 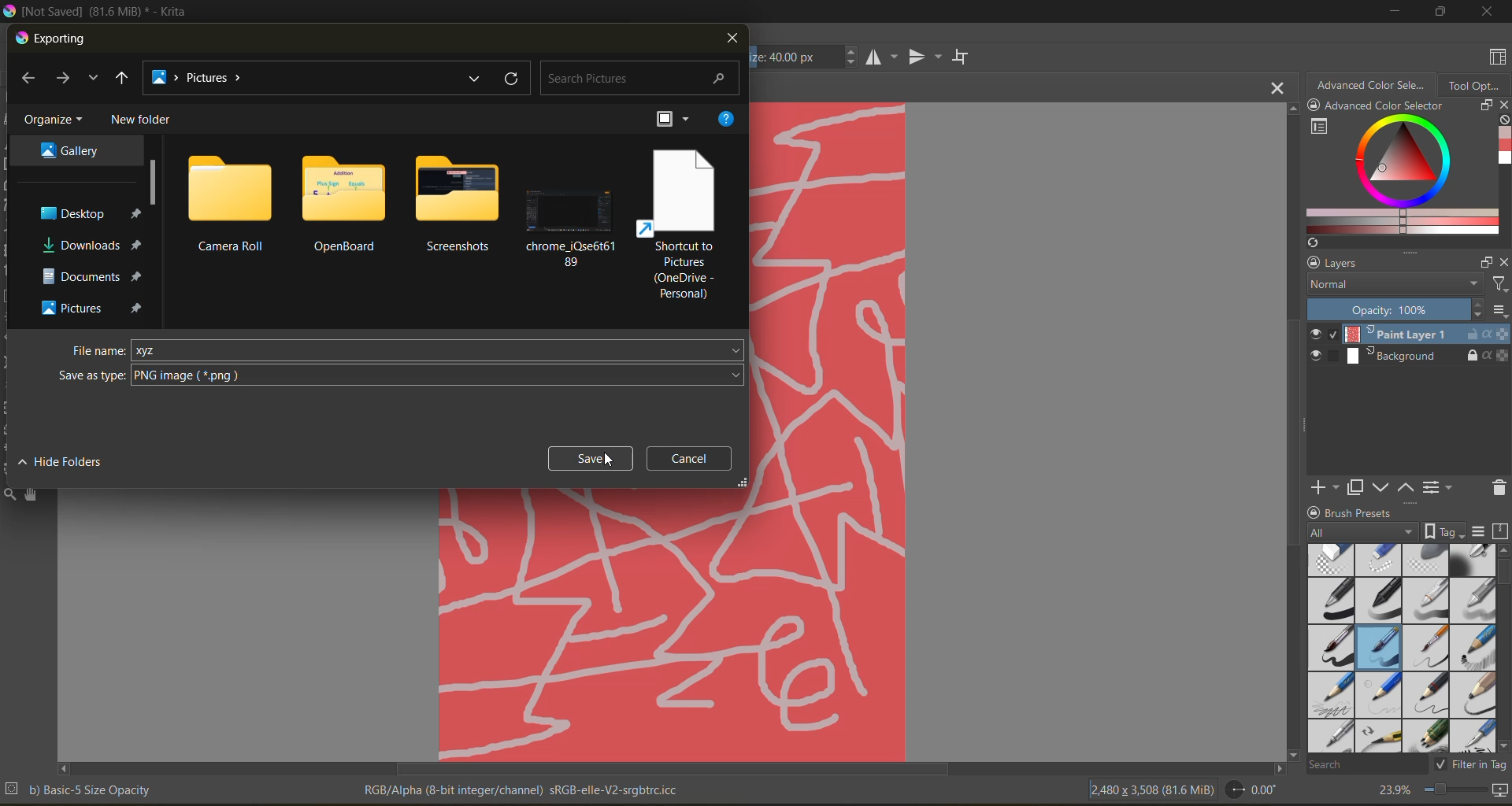 I want to click on folders, so click(x=572, y=206).